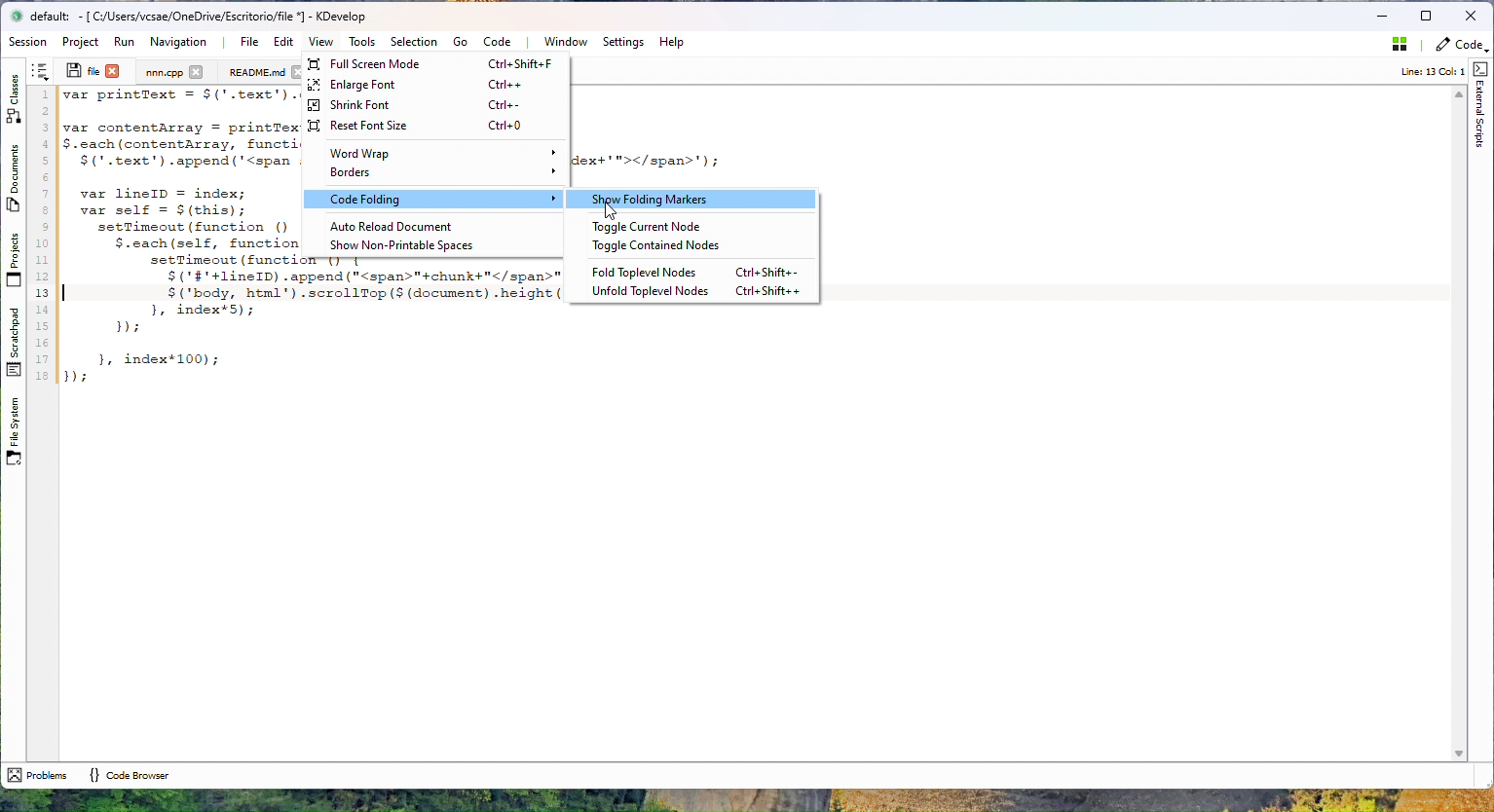 The width and height of the screenshot is (1494, 812). Describe the element at coordinates (1424, 72) in the screenshot. I see `info` at that location.